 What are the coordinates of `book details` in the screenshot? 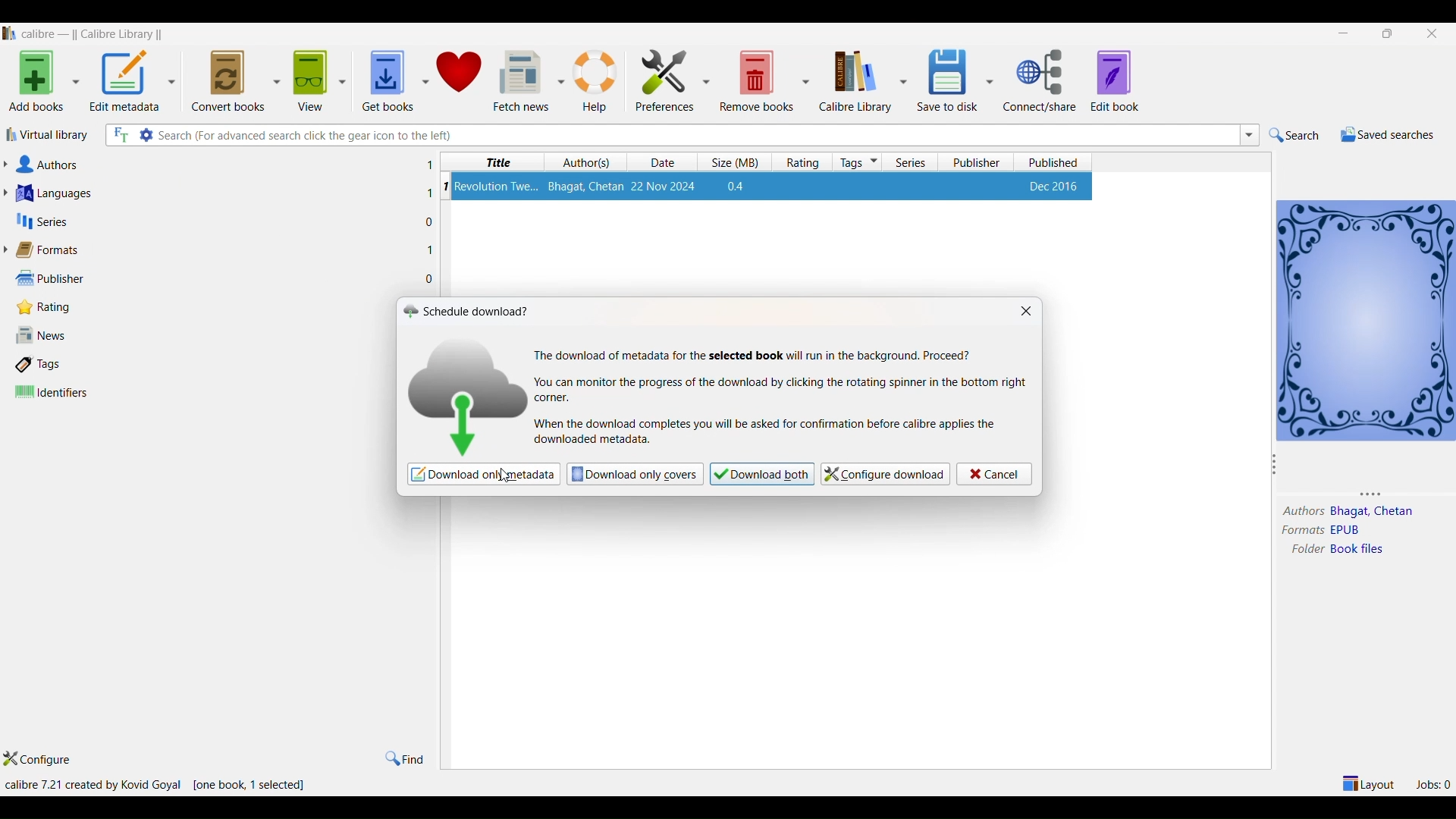 It's located at (776, 187).